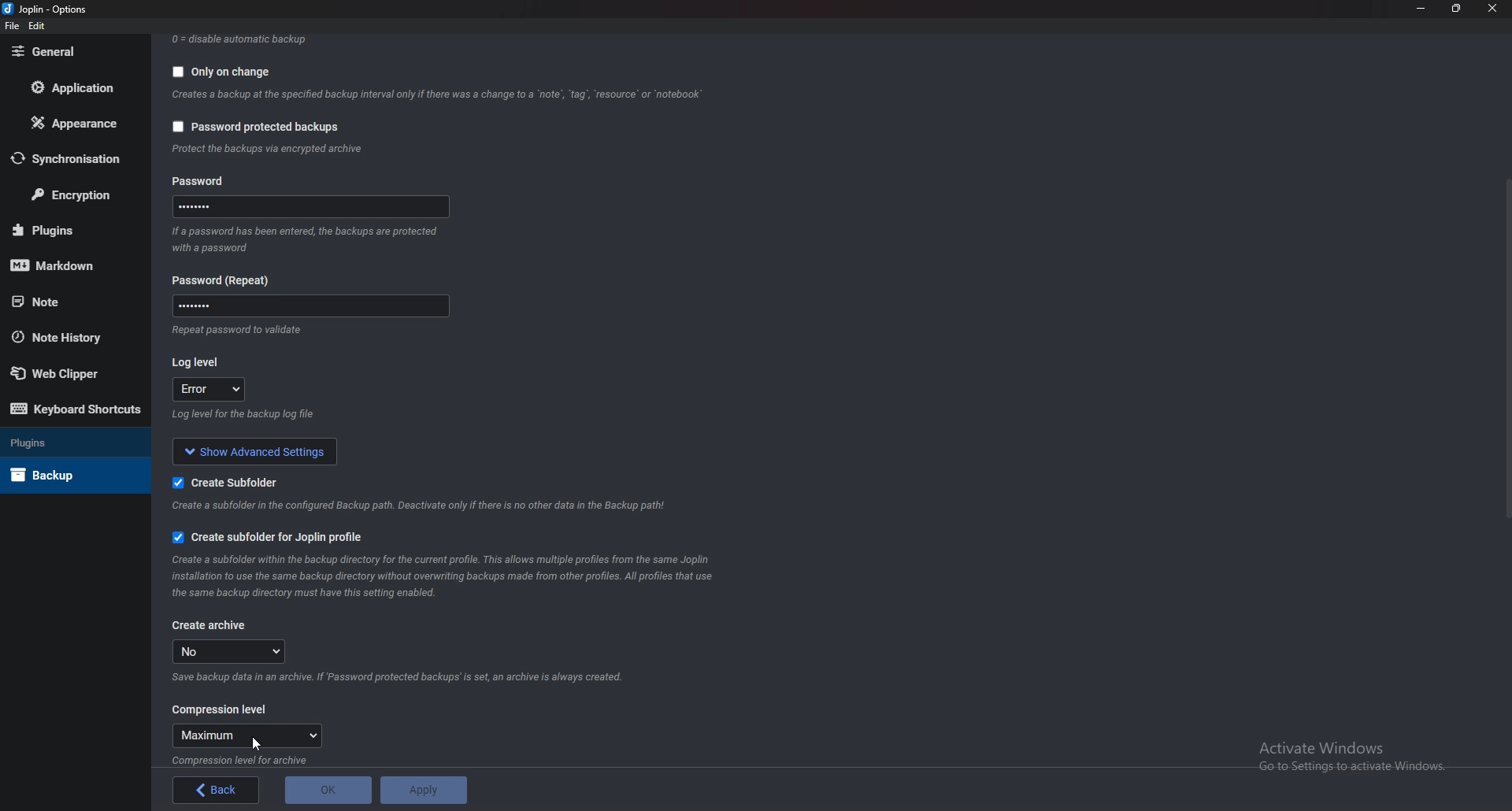 The image size is (1512, 811). I want to click on Info, so click(239, 332).